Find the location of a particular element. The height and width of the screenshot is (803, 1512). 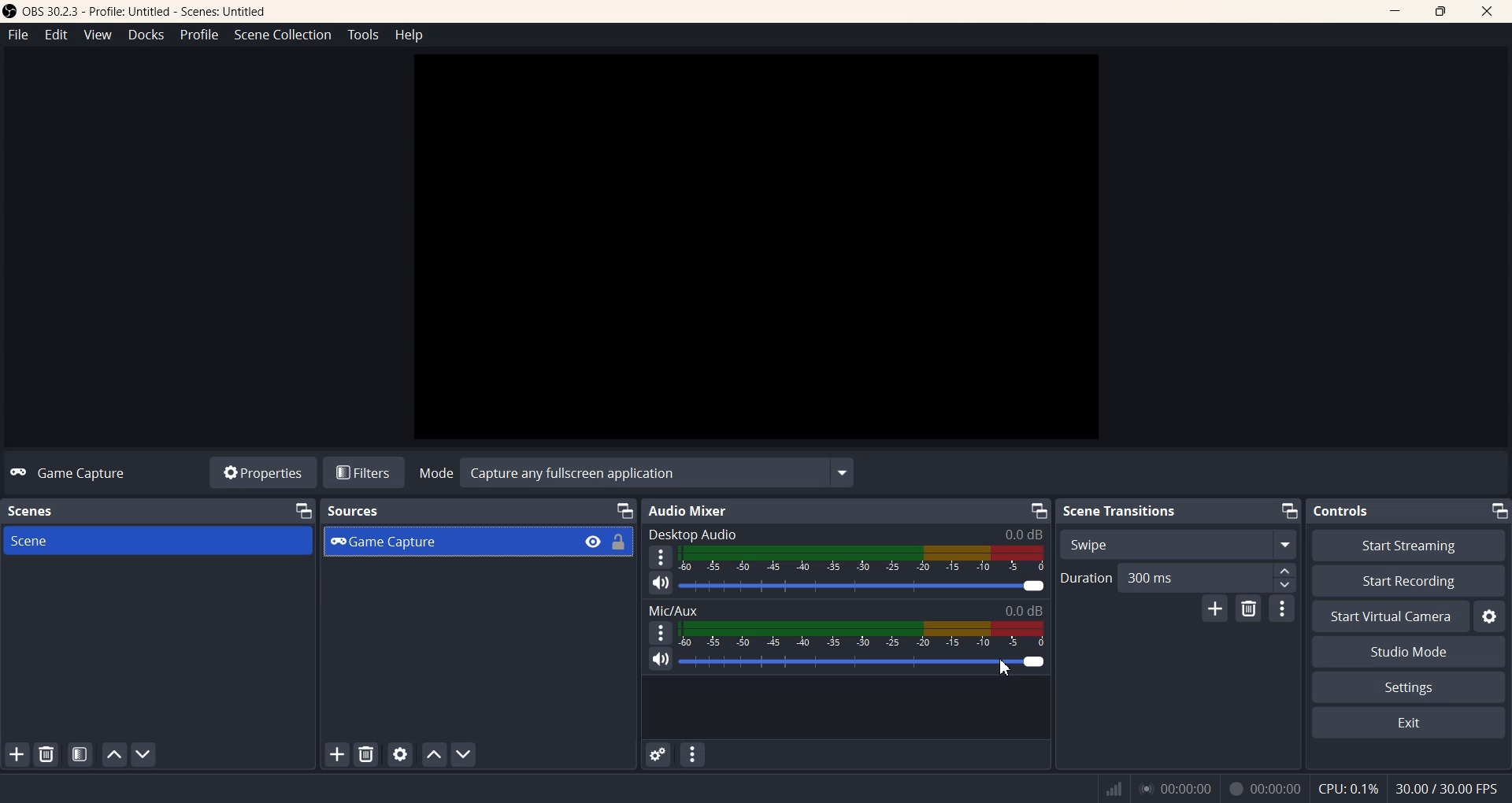

Volume Adjuster is located at coordinates (861, 661).